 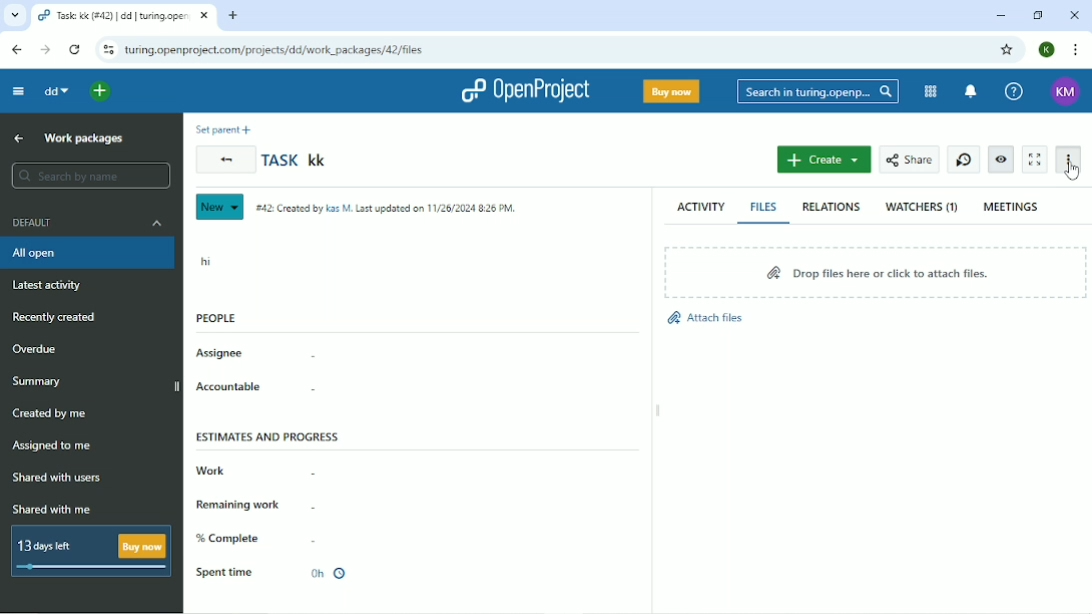 I want to click on Search tabs, so click(x=15, y=15).